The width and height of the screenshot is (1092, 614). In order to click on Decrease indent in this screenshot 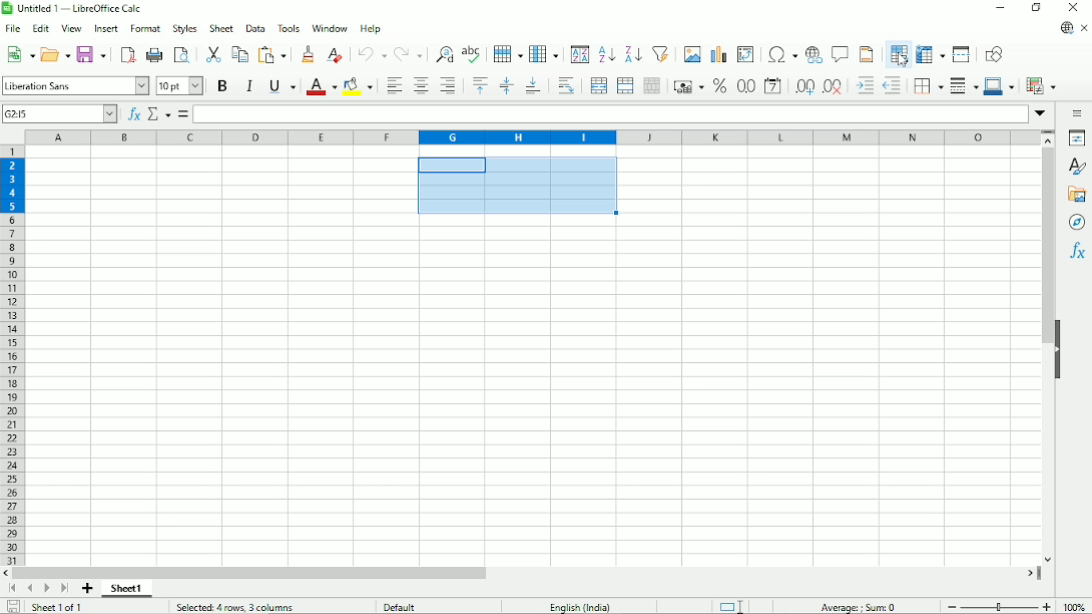, I will do `click(892, 86)`.